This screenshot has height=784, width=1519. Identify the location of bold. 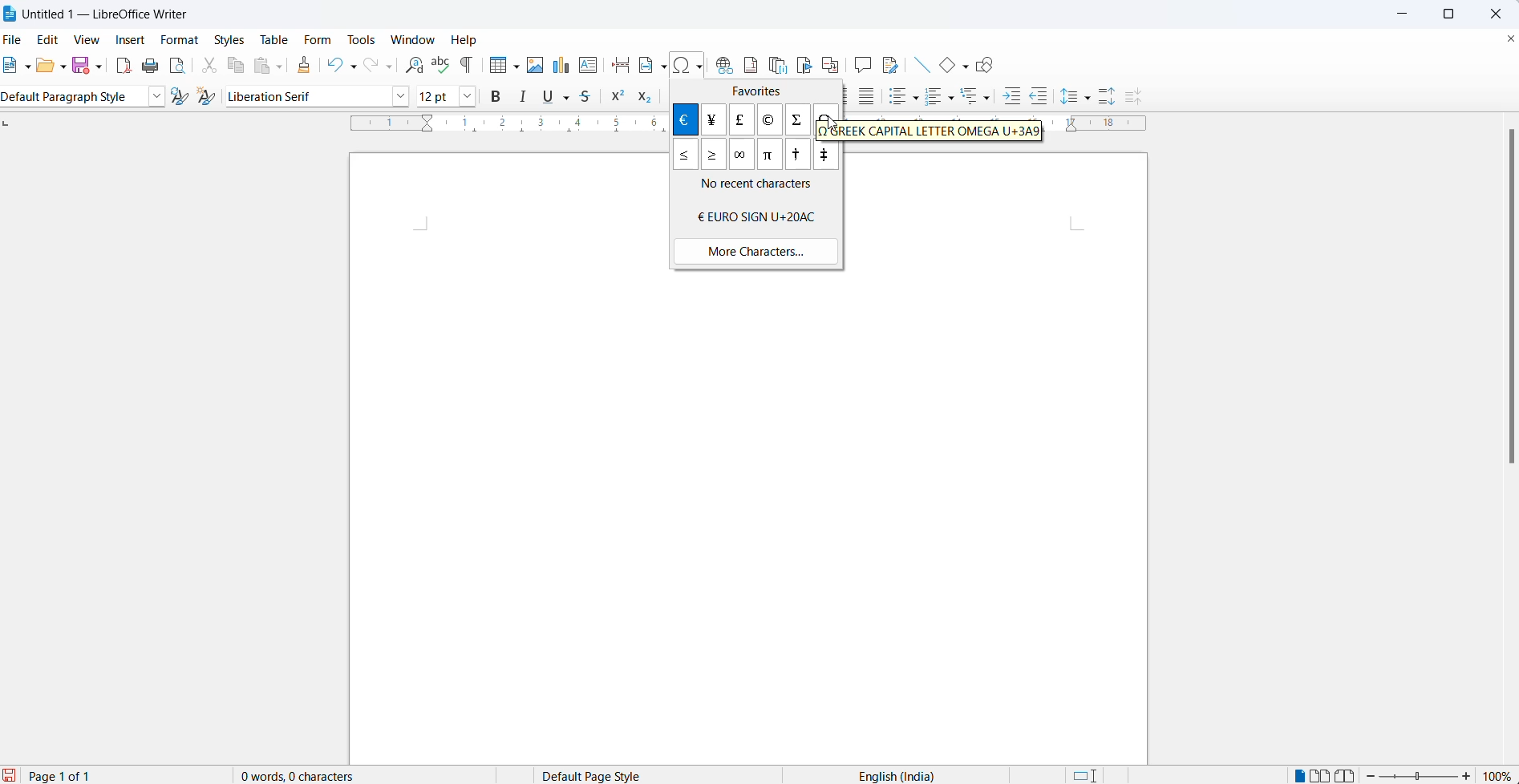
(499, 96).